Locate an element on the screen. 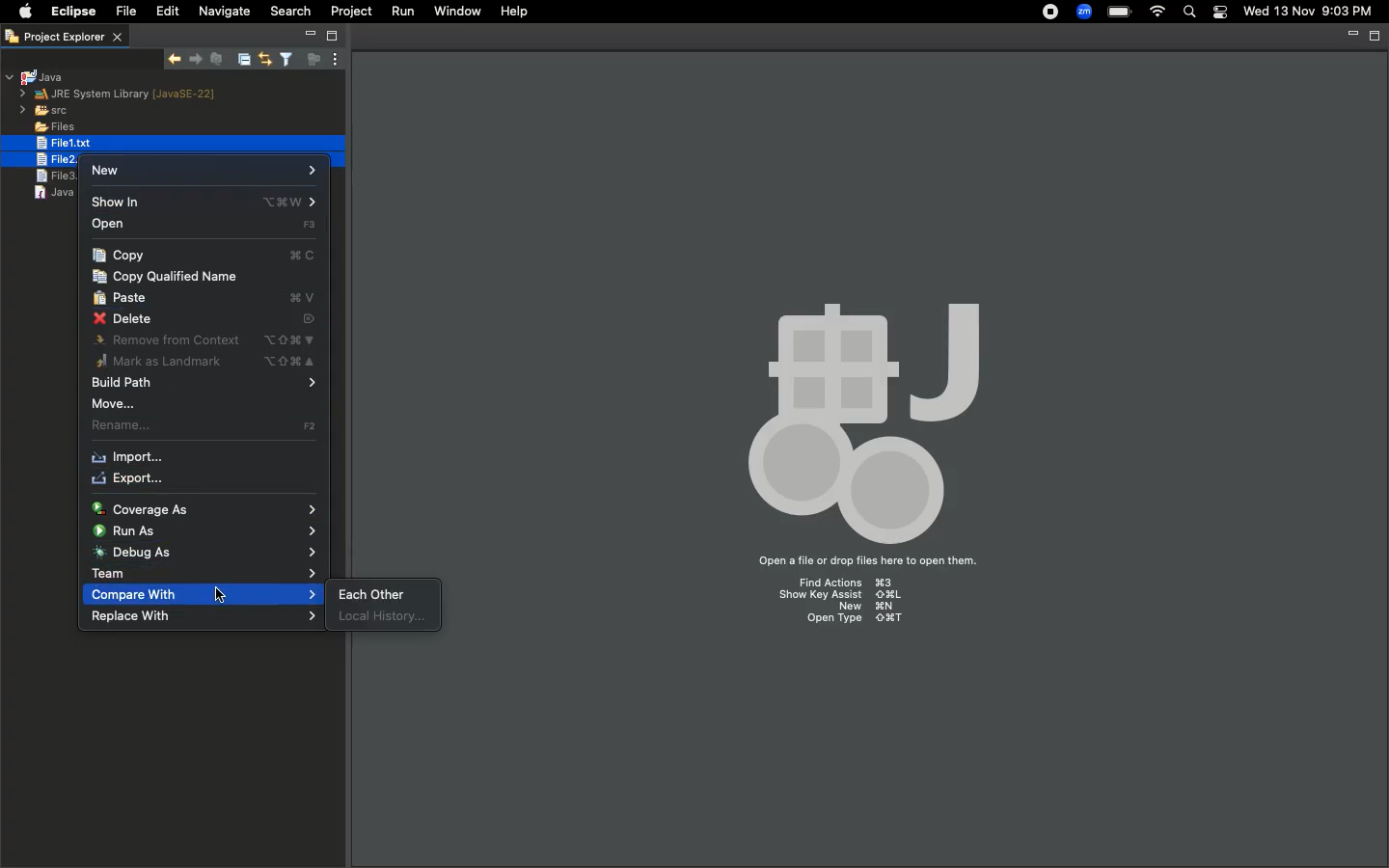  Copy qualified name is located at coordinates (164, 277).